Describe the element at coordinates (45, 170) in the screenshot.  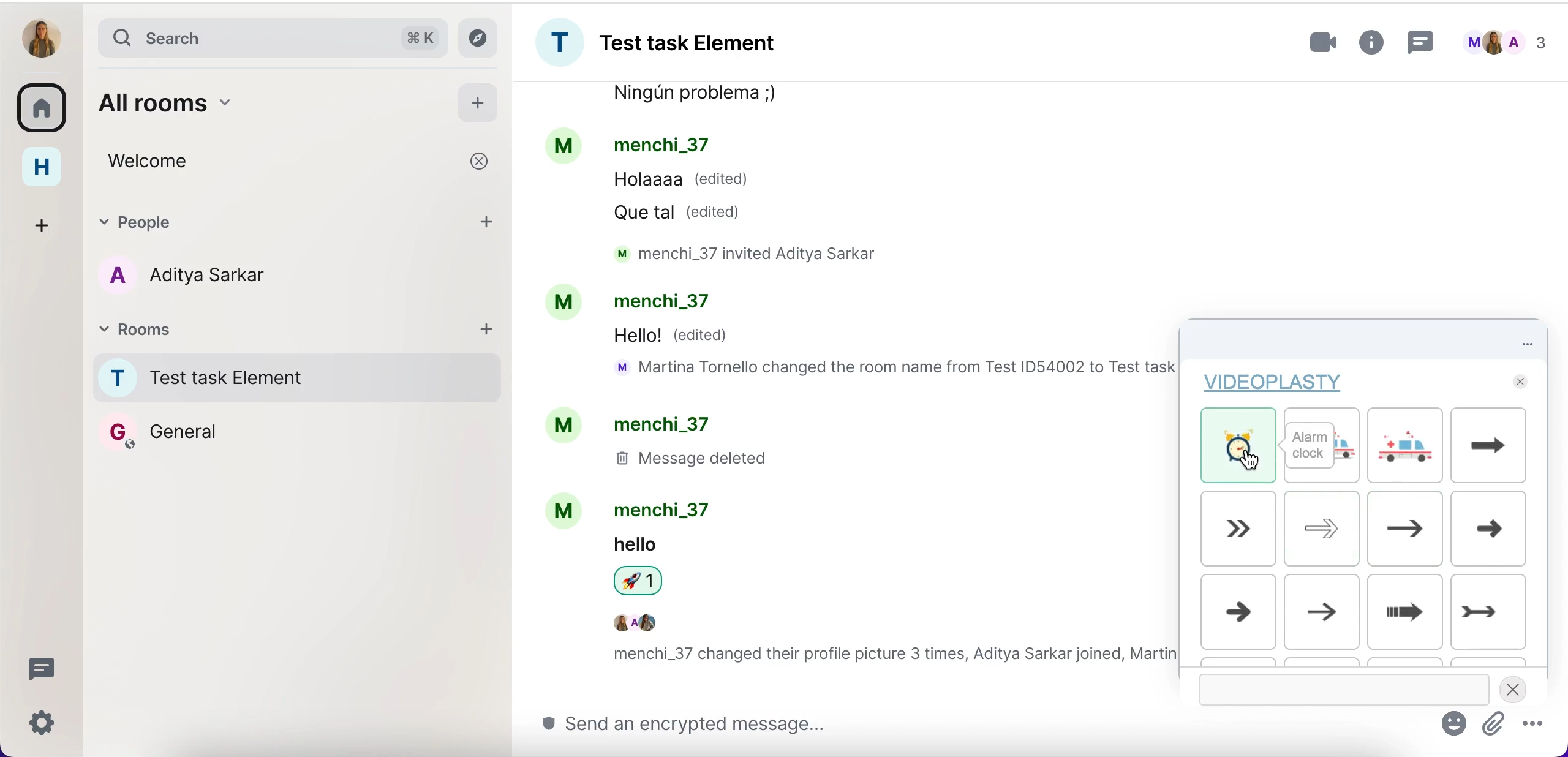
I see `home` at that location.